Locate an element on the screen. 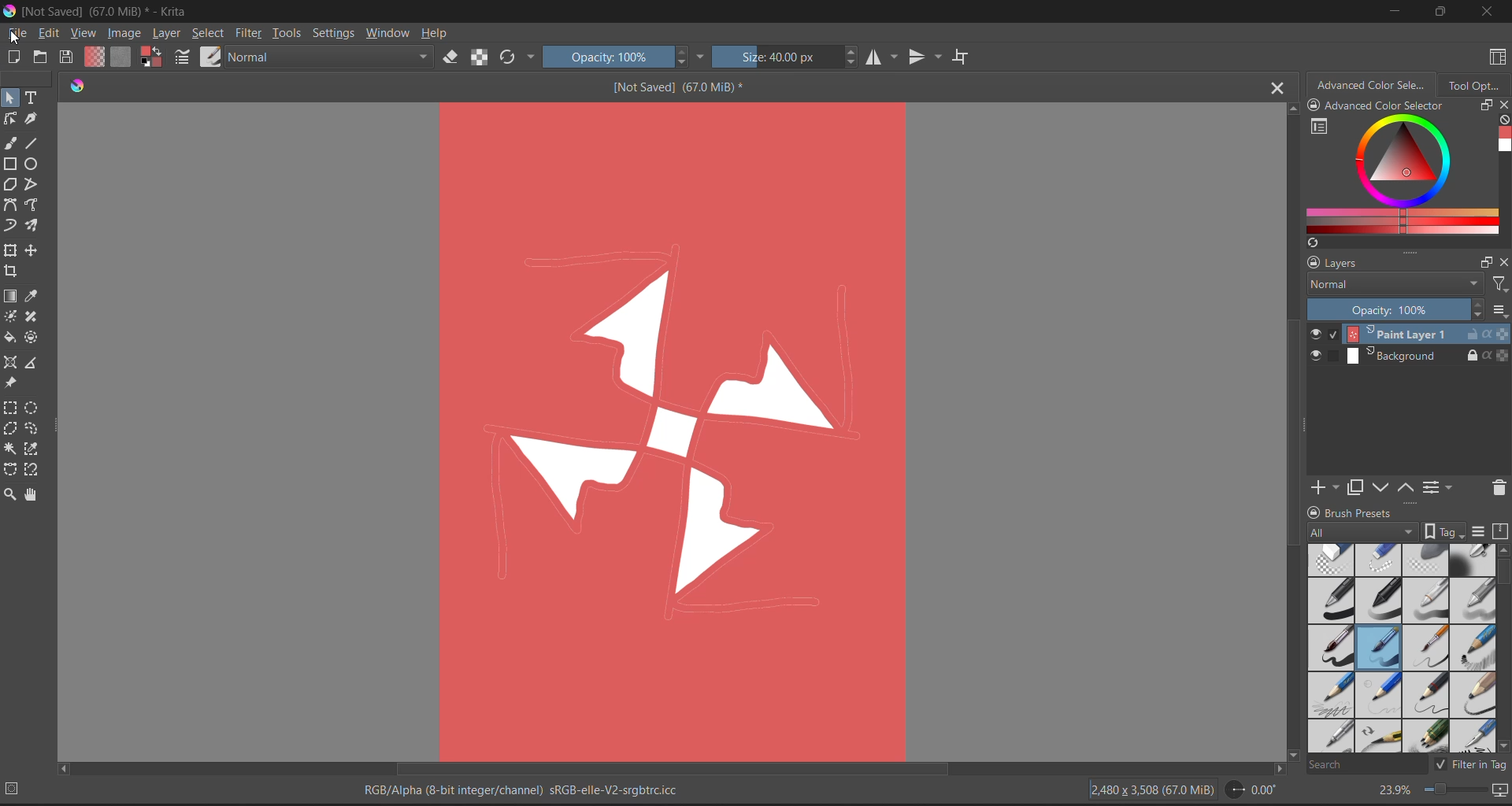  close is located at coordinates (1487, 13).